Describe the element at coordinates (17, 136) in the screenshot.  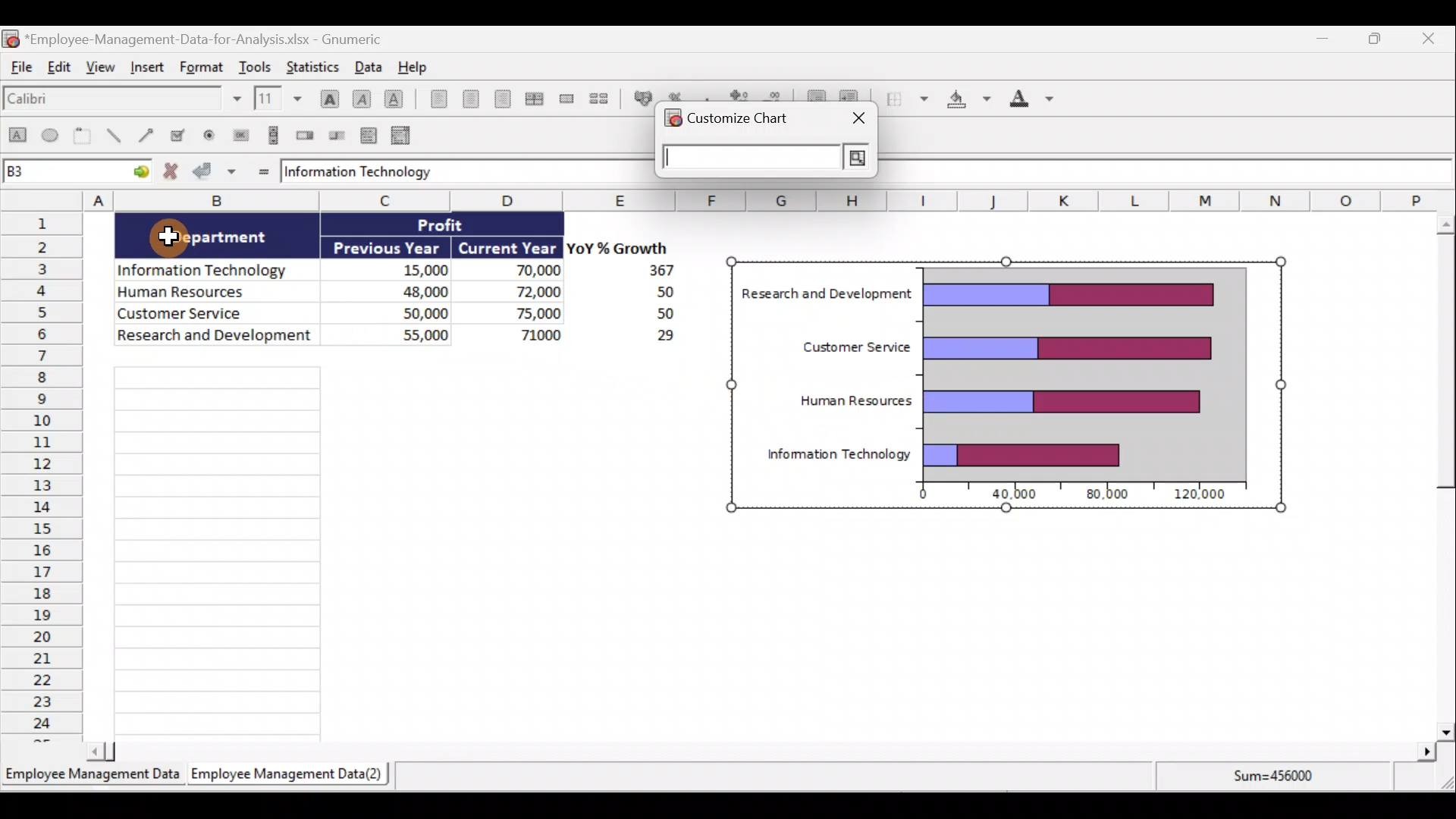
I see `Create a rectangle object` at that location.